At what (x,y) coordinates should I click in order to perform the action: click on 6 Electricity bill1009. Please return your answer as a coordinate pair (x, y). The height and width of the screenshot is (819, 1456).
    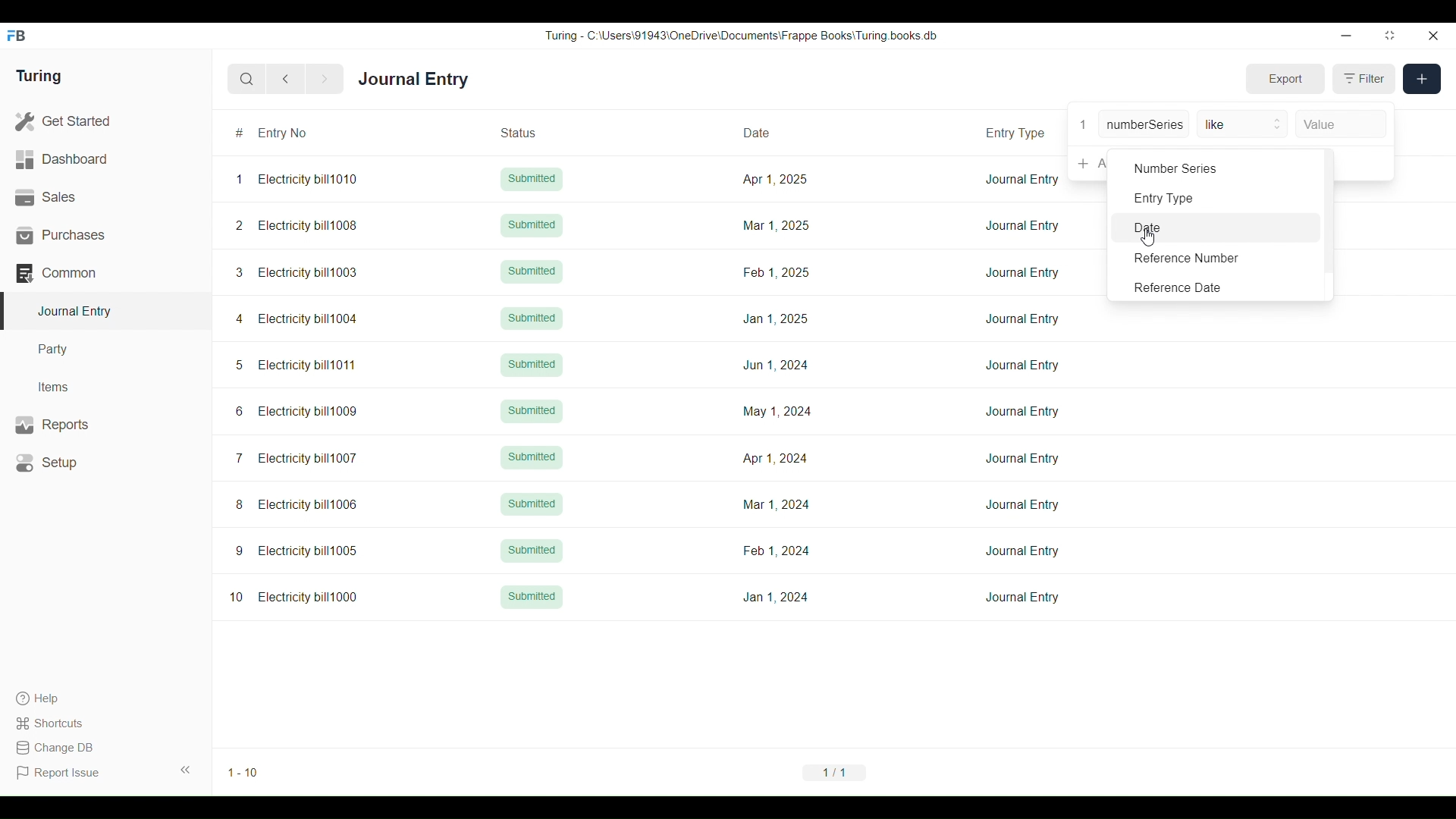
    Looking at the image, I should click on (297, 411).